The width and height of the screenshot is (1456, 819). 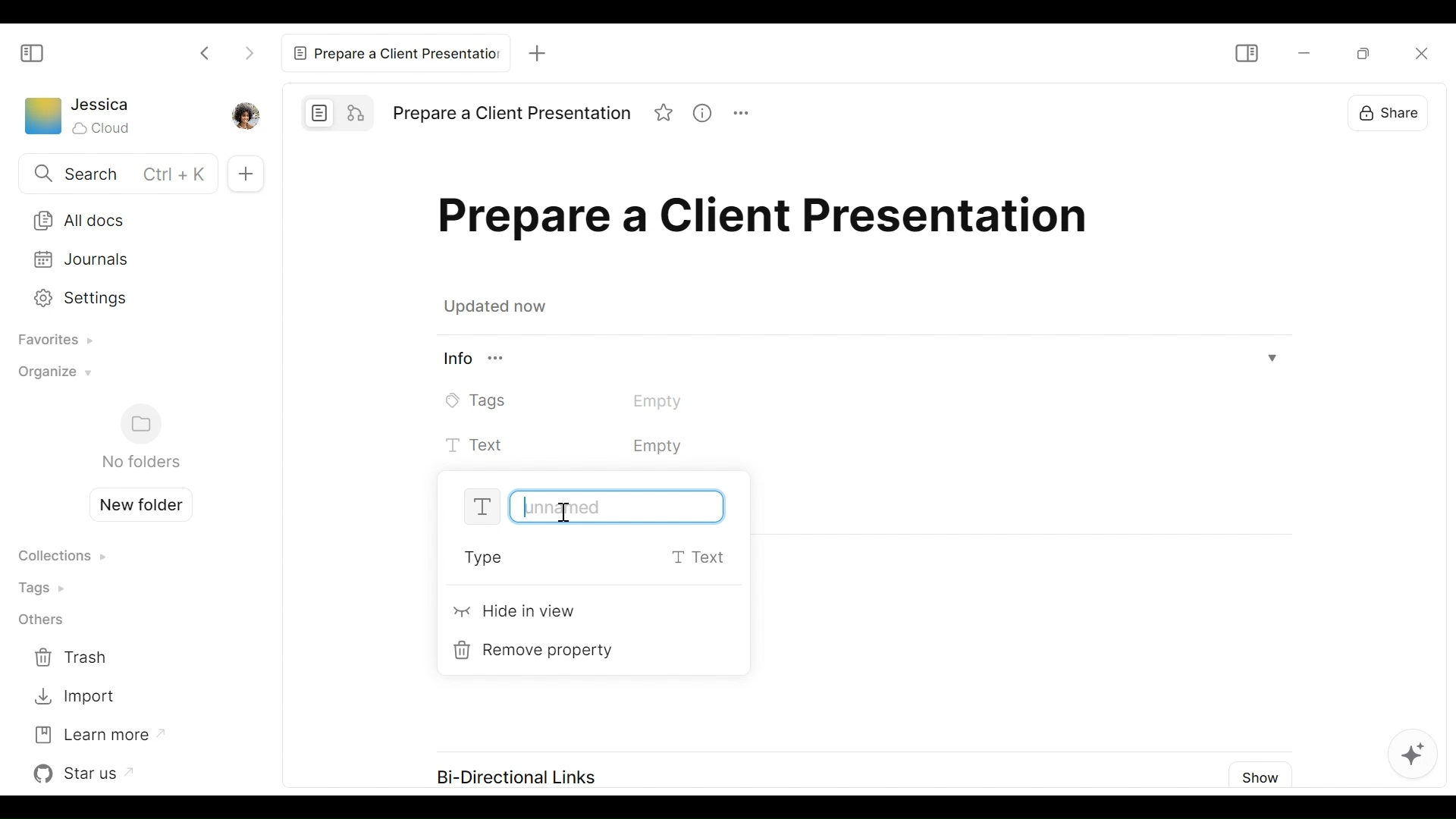 I want to click on Page mode, so click(x=320, y=112).